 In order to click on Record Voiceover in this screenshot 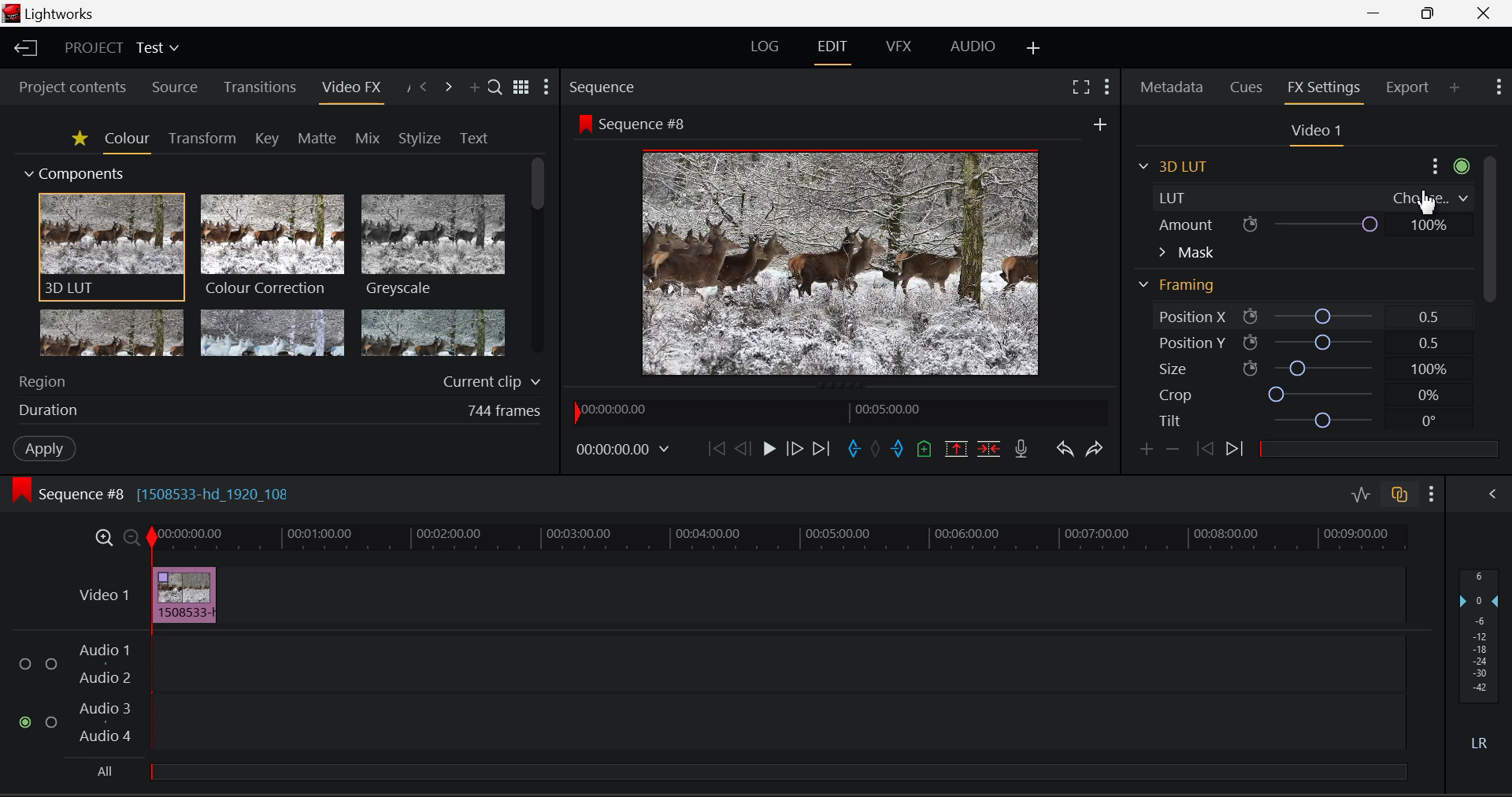, I will do `click(1021, 449)`.